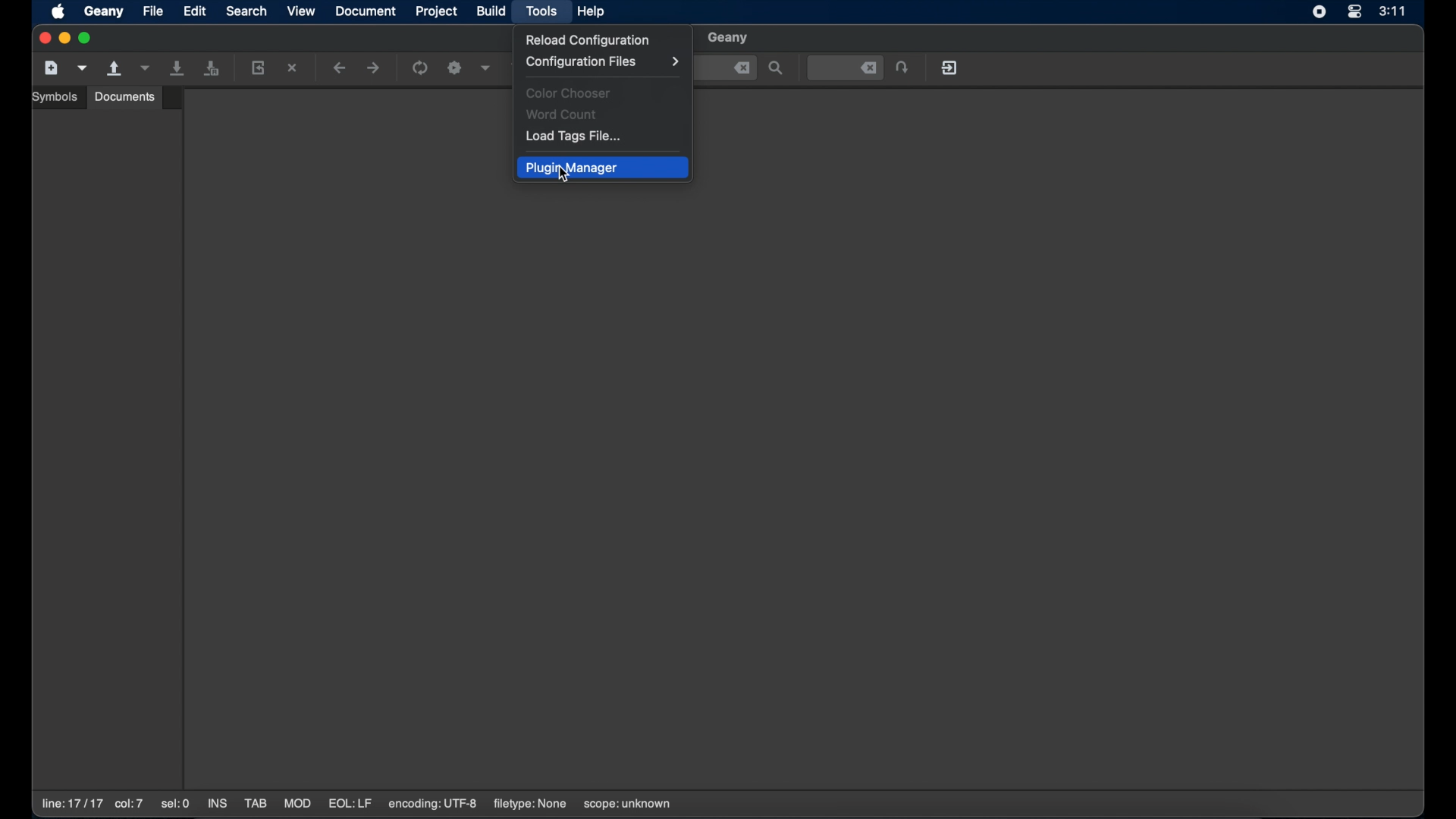 Image resolution: width=1456 pixels, height=819 pixels. Describe the element at coordinates (154, 11) in the screenshot. I see `file` at that location.